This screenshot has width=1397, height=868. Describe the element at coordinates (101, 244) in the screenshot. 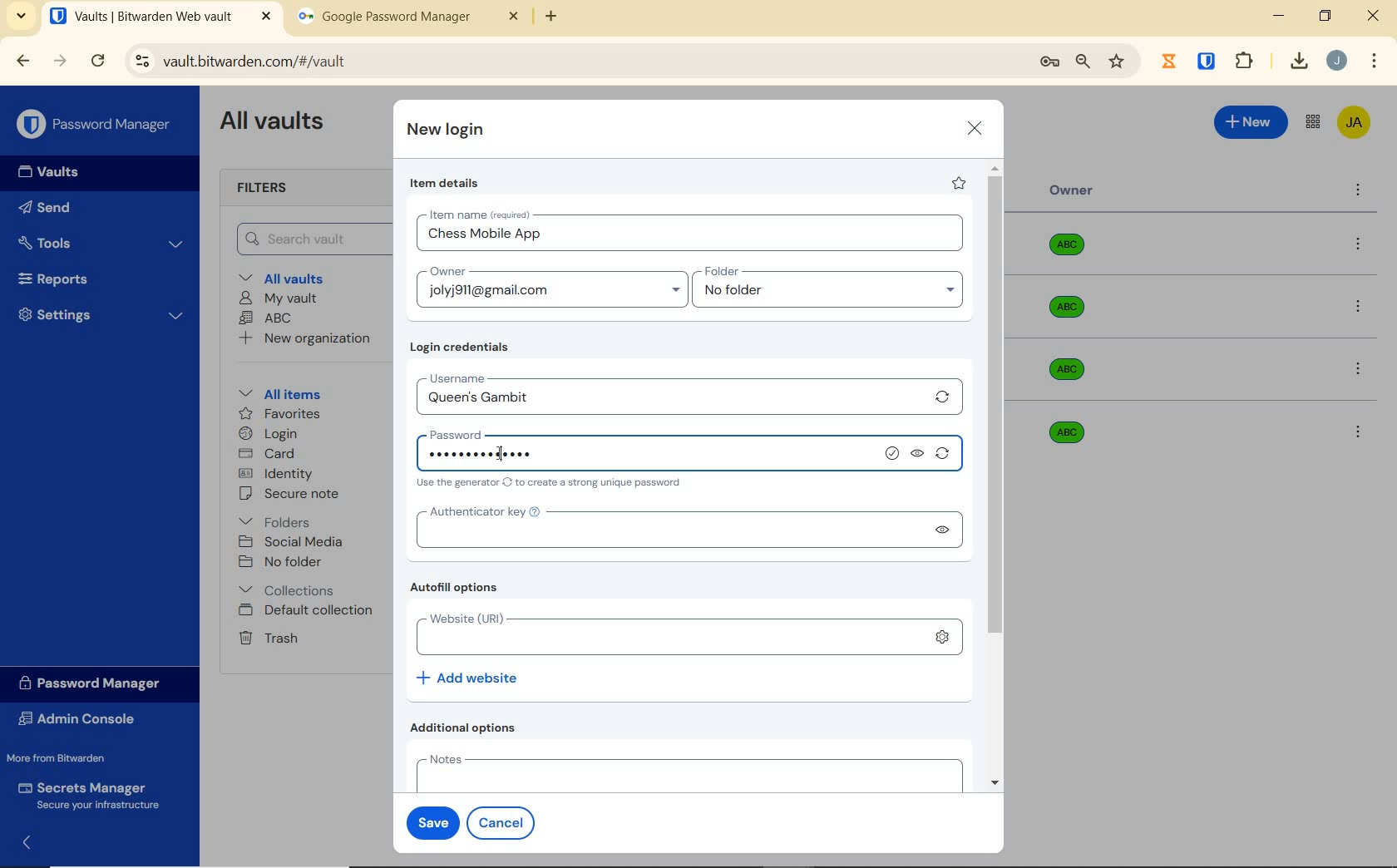

I see `Tools` at that location.